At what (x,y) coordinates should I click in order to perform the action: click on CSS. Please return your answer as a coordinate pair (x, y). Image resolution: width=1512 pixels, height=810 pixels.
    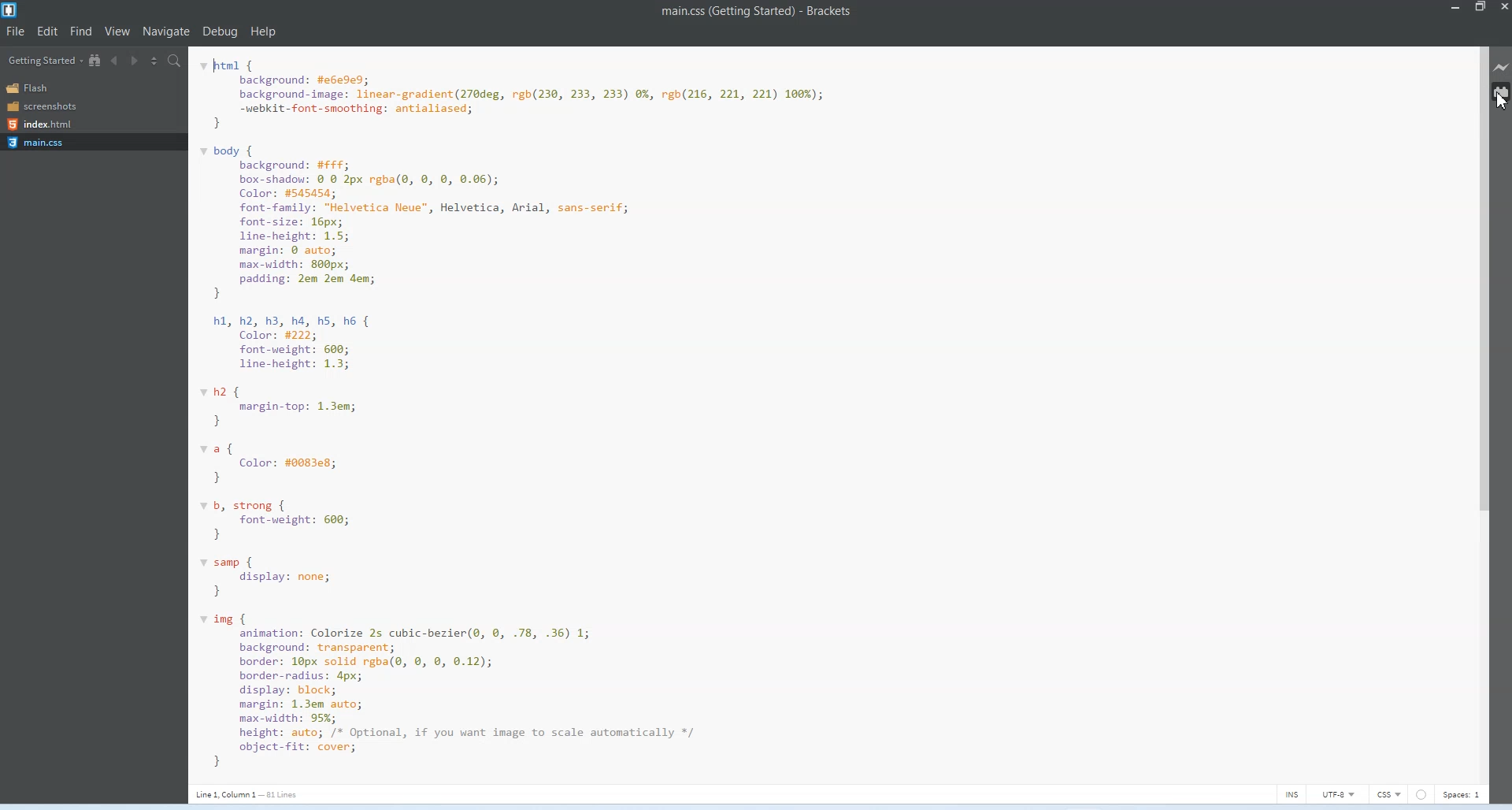
    Looking at the image, I should click on (1389, 793).